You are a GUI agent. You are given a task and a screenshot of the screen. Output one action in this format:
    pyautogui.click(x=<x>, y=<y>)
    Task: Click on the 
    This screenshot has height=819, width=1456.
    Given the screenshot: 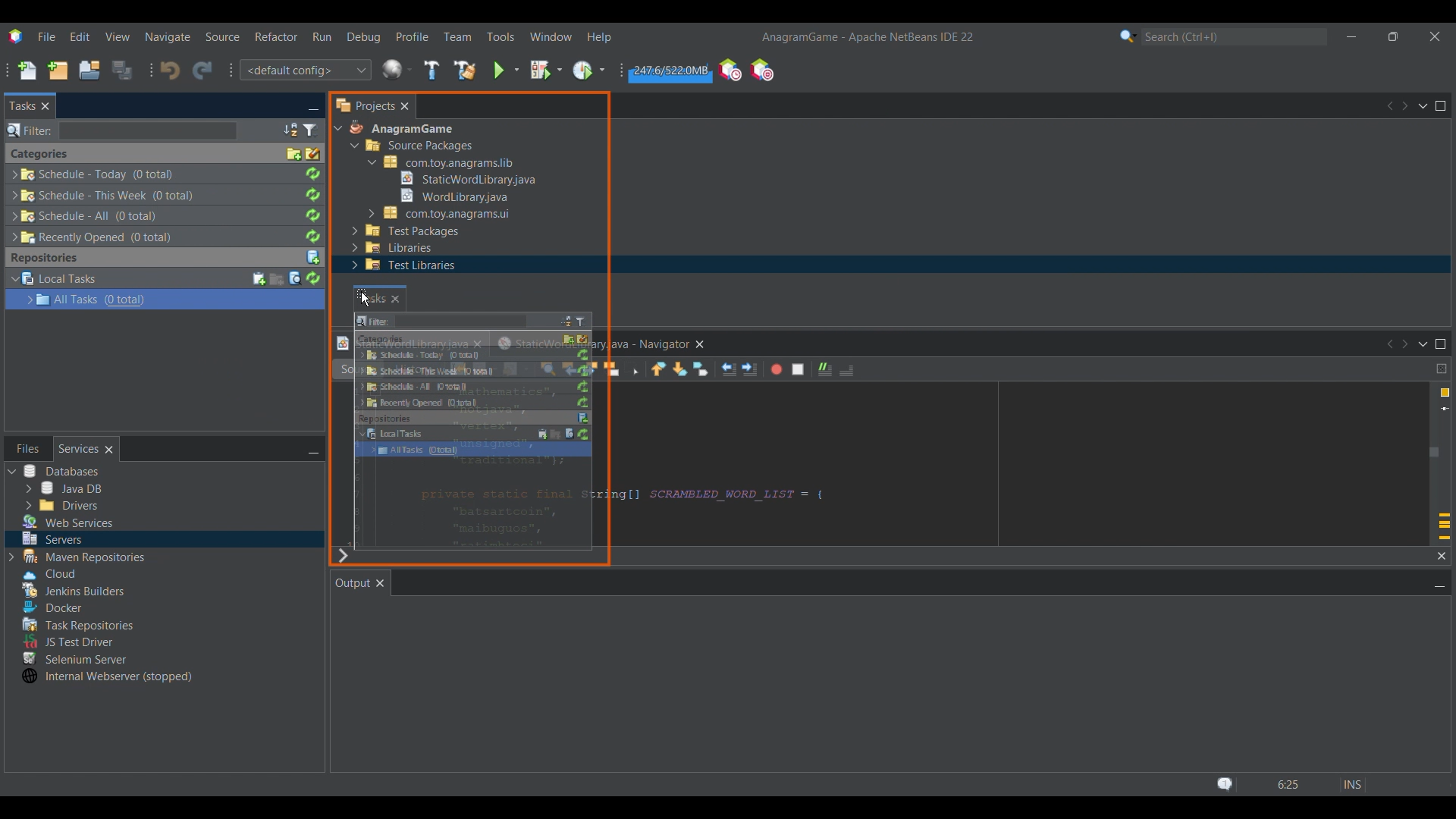 What is the action you would take?
    pyautogui.click(x=465, y=318)
    